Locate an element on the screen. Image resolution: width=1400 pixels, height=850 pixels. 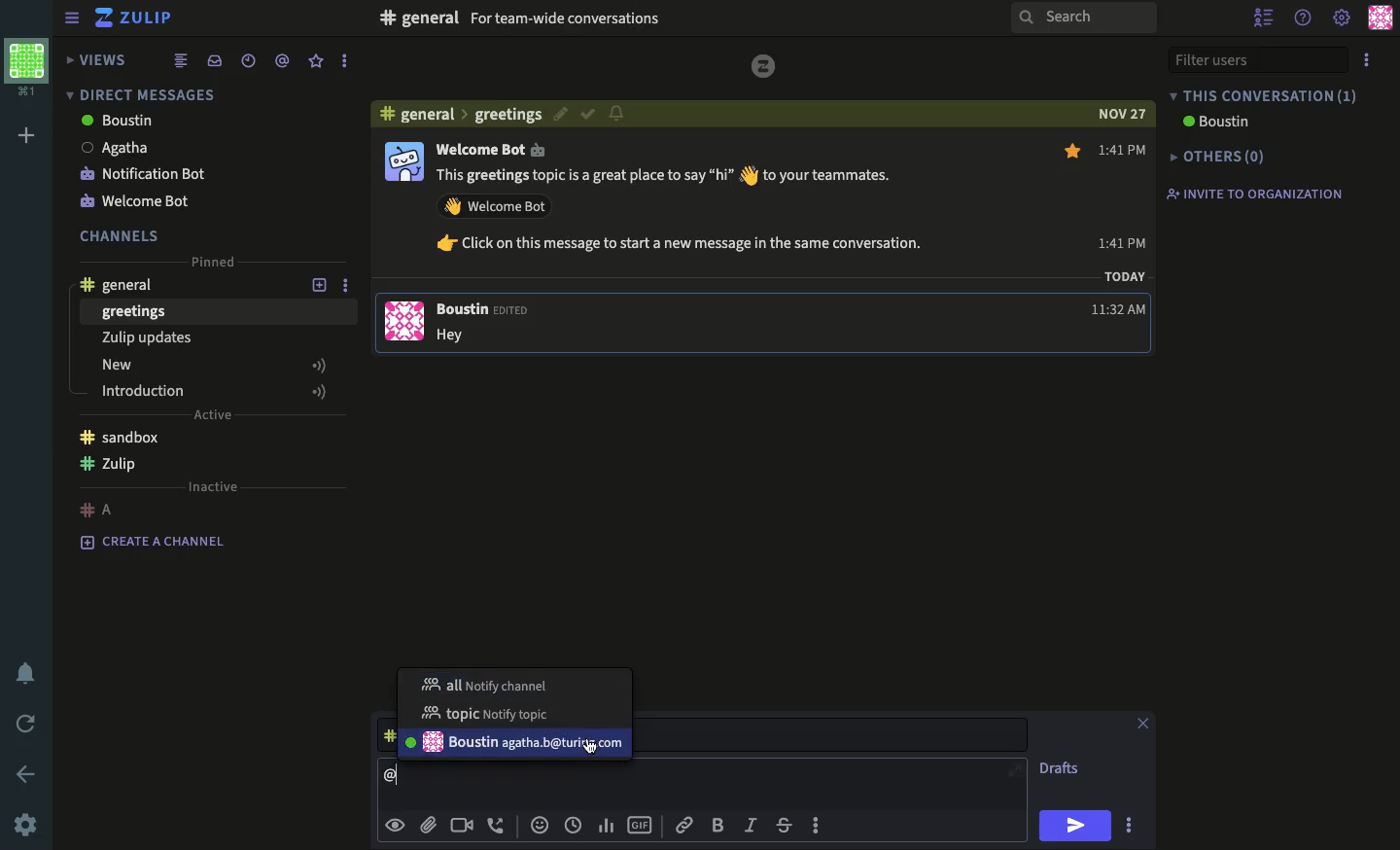
close is located at coordinates (1143, 724).